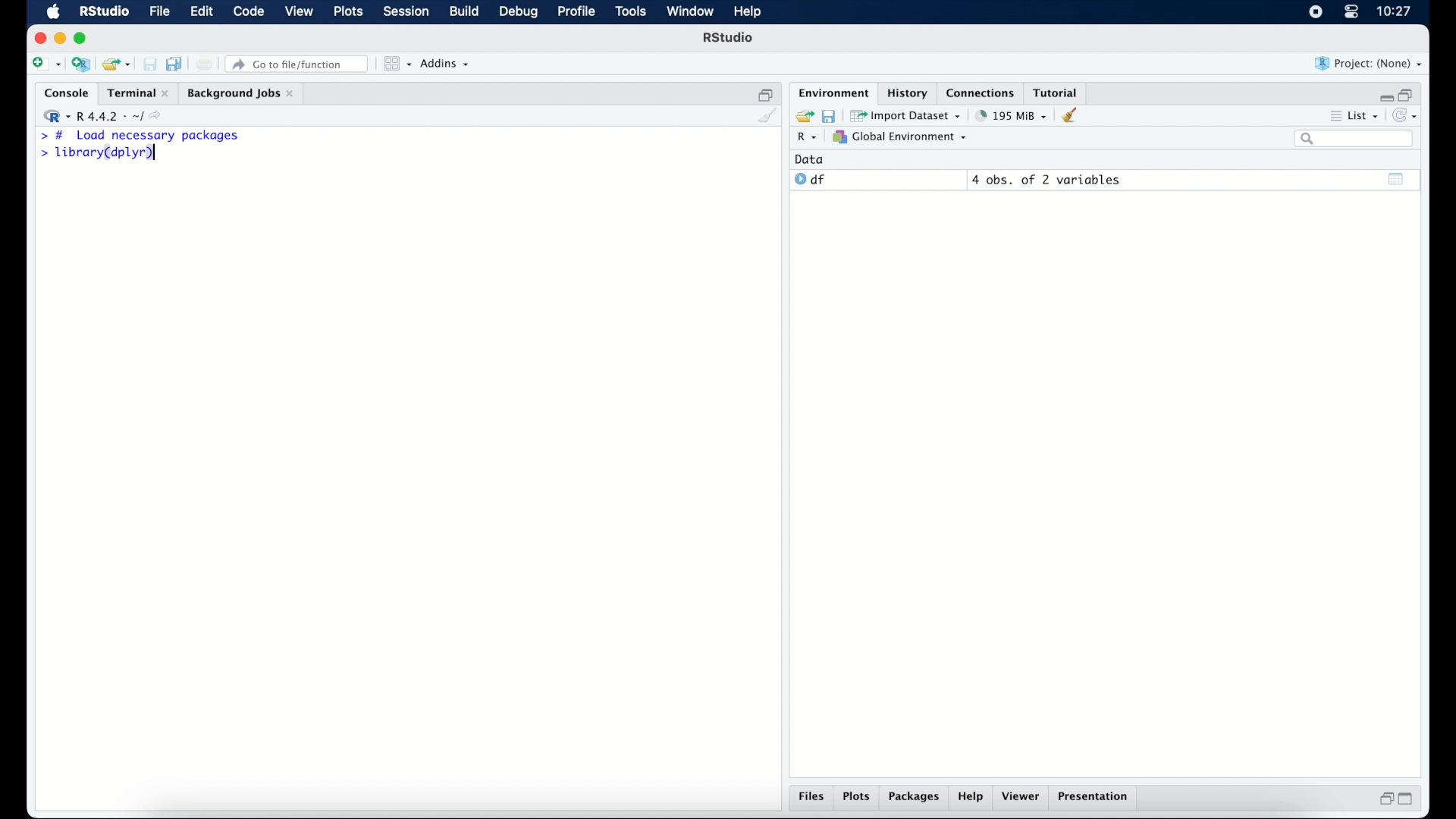 Image resolution: width=1456 pixels, height=819 pixels. I want to click on maximize, so click(83, 38).